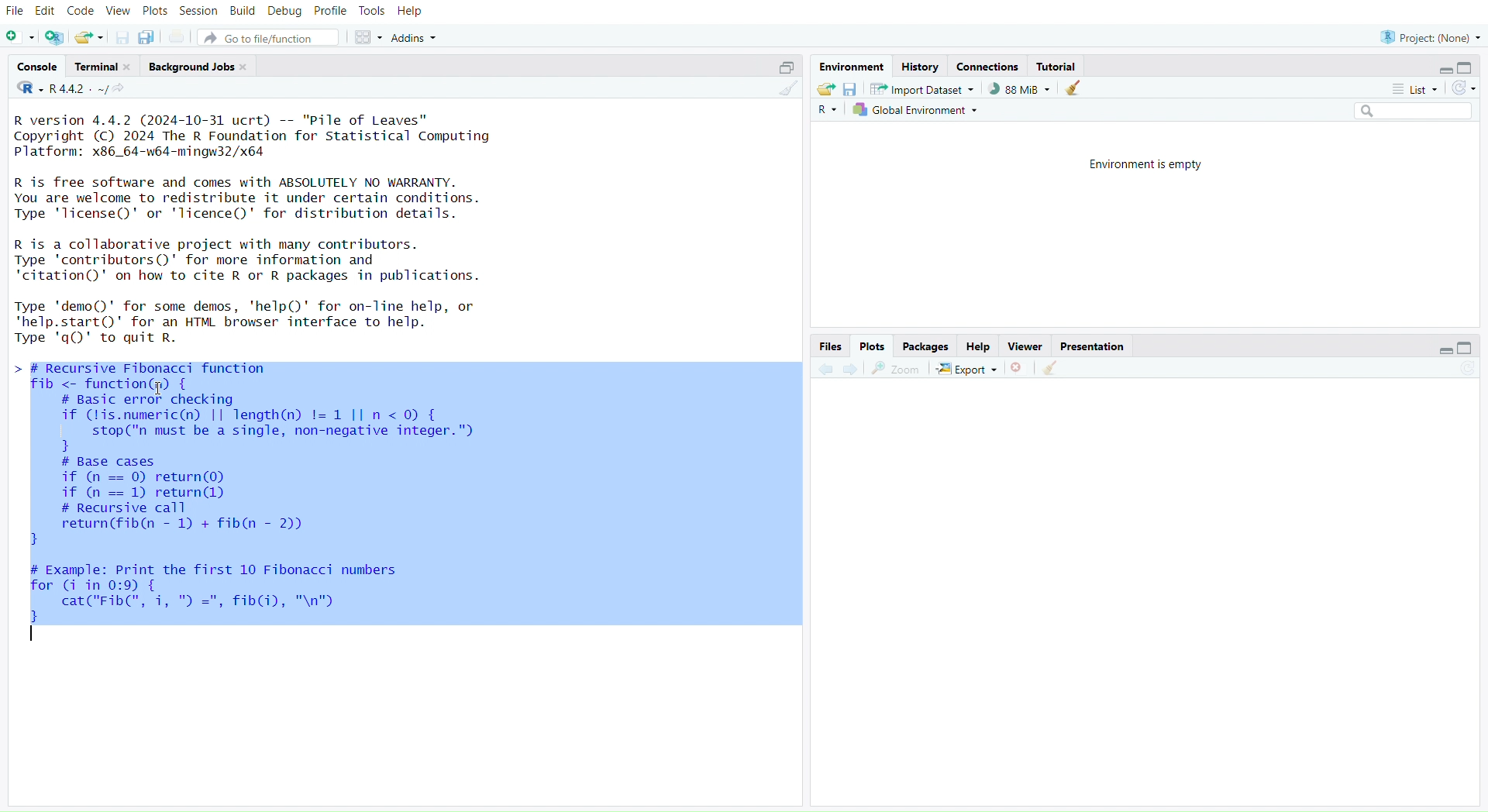 Image resolution: width=1488 pixels, height=812 pixels. What do you see at coordinates (928, 347) in the screenshot?
I see `packages` at bounding box center [928, 347].